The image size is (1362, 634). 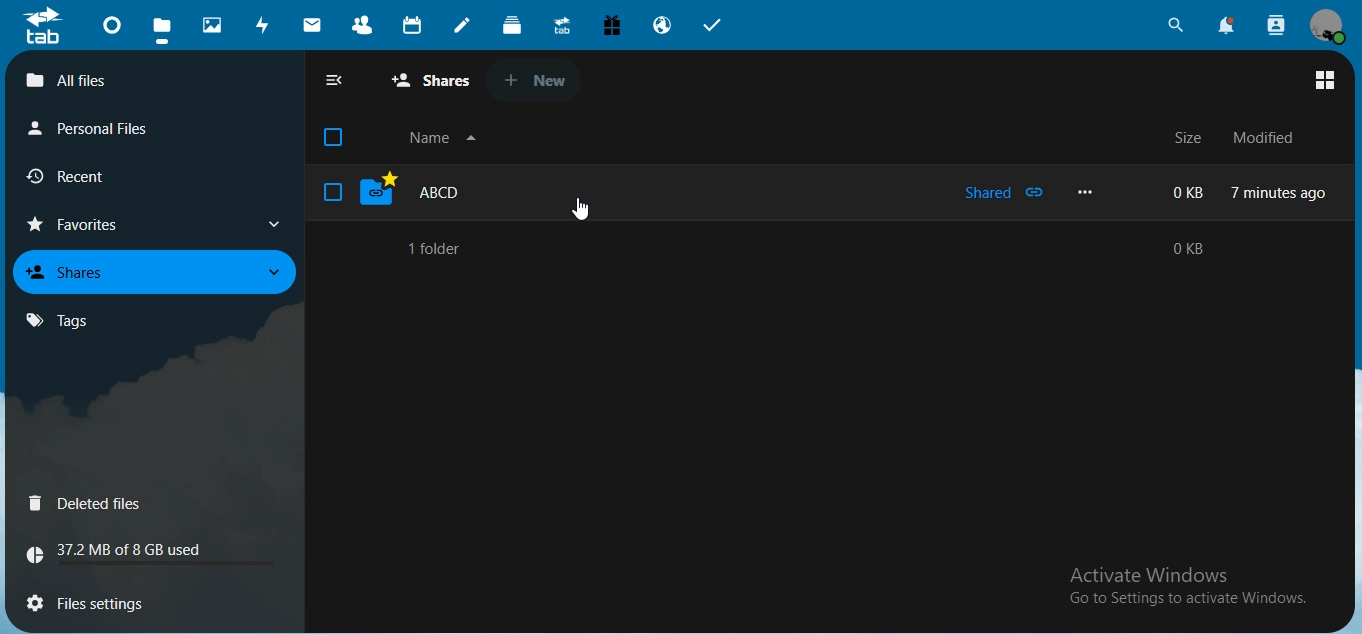 I want to click on photos, so click(x=213, y=23).